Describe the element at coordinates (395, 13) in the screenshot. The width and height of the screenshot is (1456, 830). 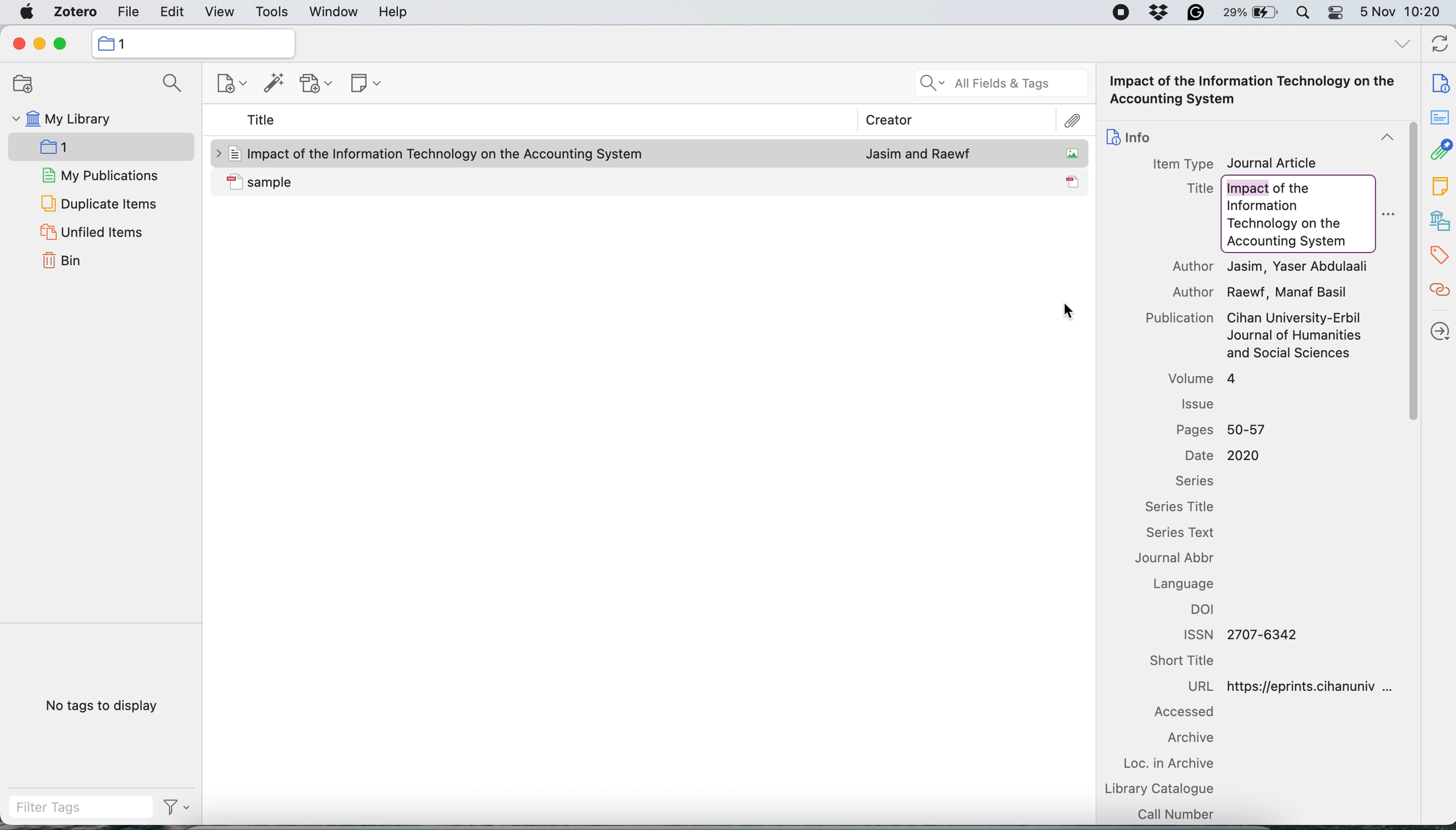
I see `help` at that location.